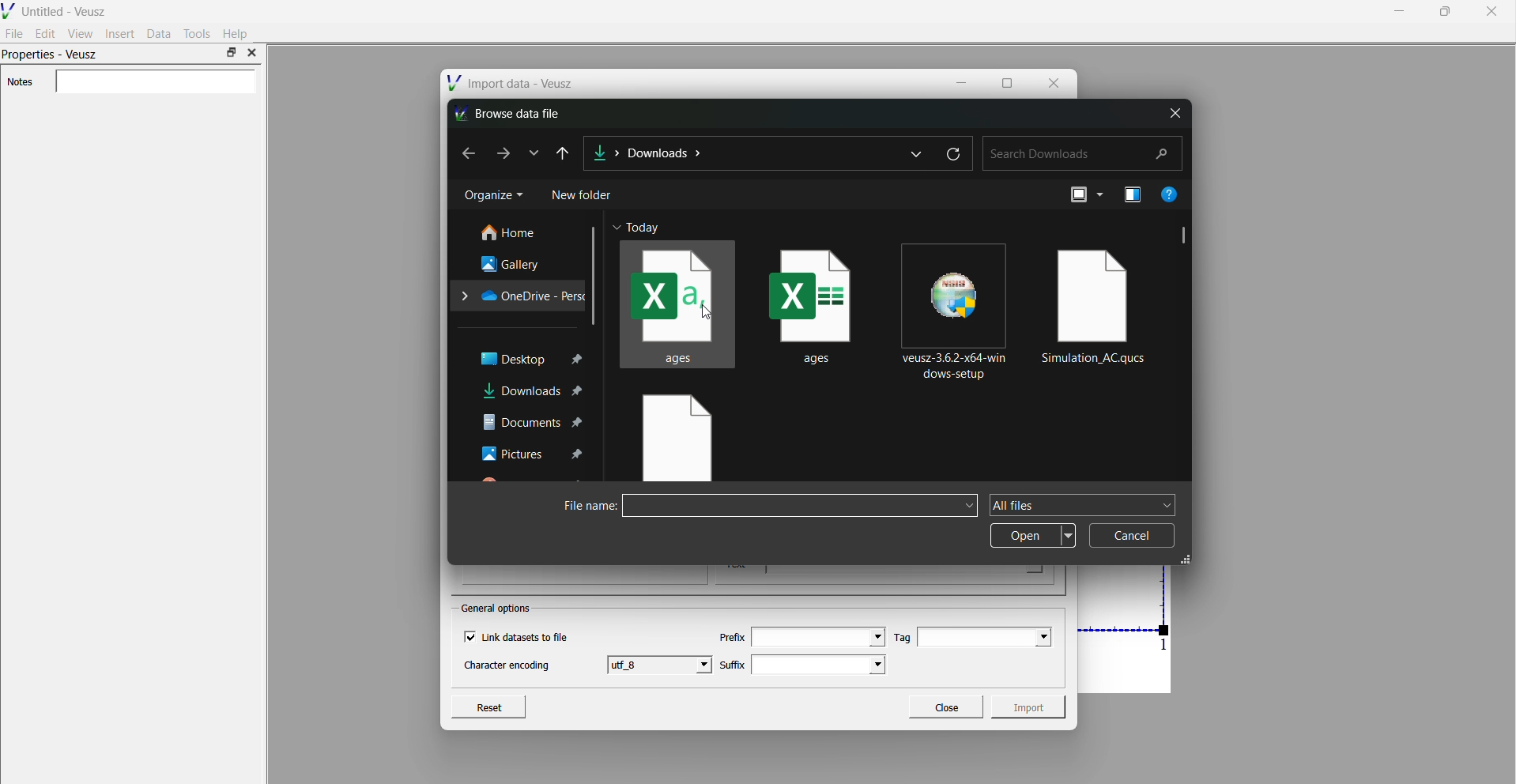 This screenshot has height=784, width=1516. I want to click on enter notes field, so click(155, 82).